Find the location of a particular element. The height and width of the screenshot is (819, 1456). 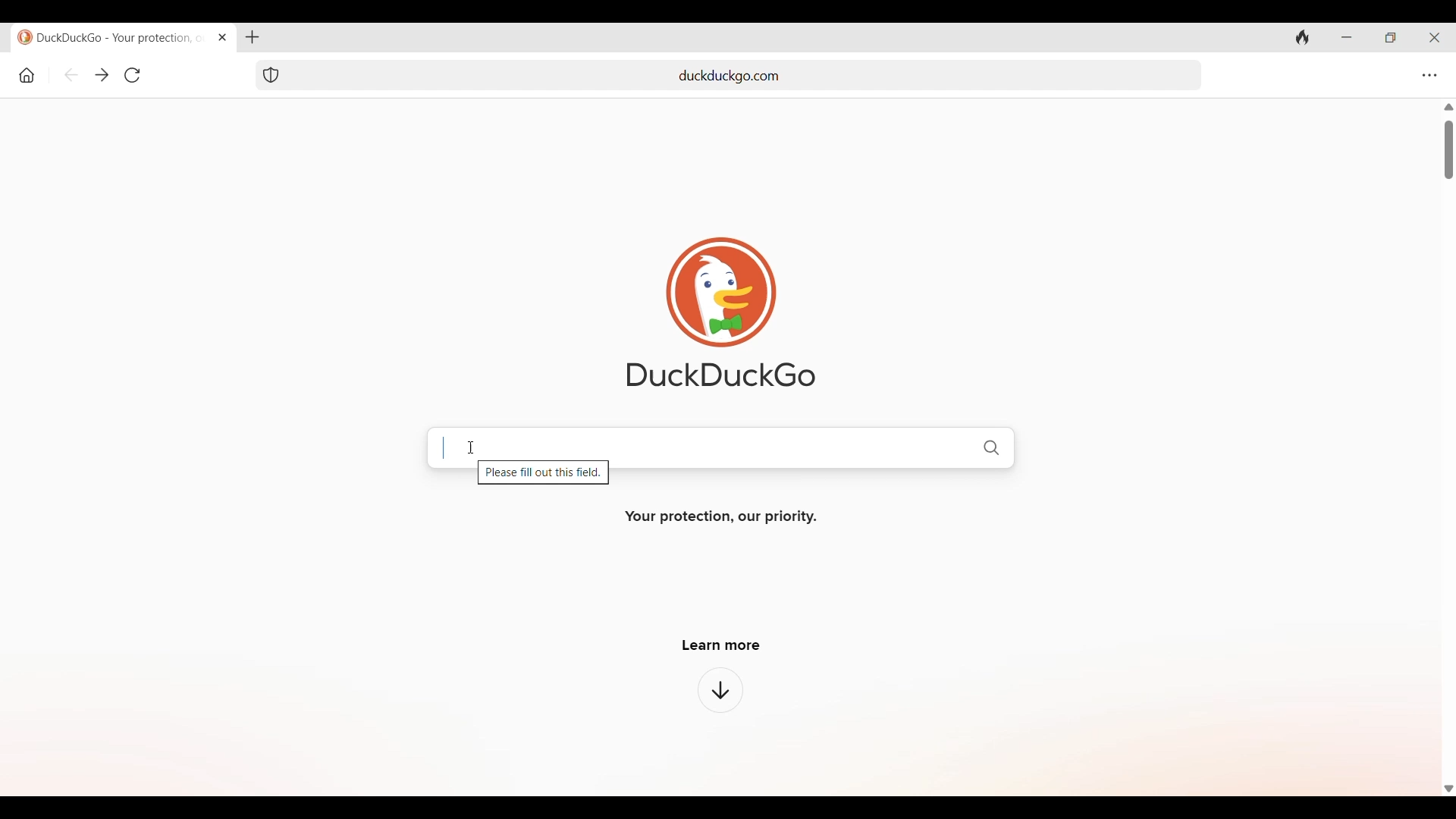

Quick slide to top is located at coordinates (1448, 107).